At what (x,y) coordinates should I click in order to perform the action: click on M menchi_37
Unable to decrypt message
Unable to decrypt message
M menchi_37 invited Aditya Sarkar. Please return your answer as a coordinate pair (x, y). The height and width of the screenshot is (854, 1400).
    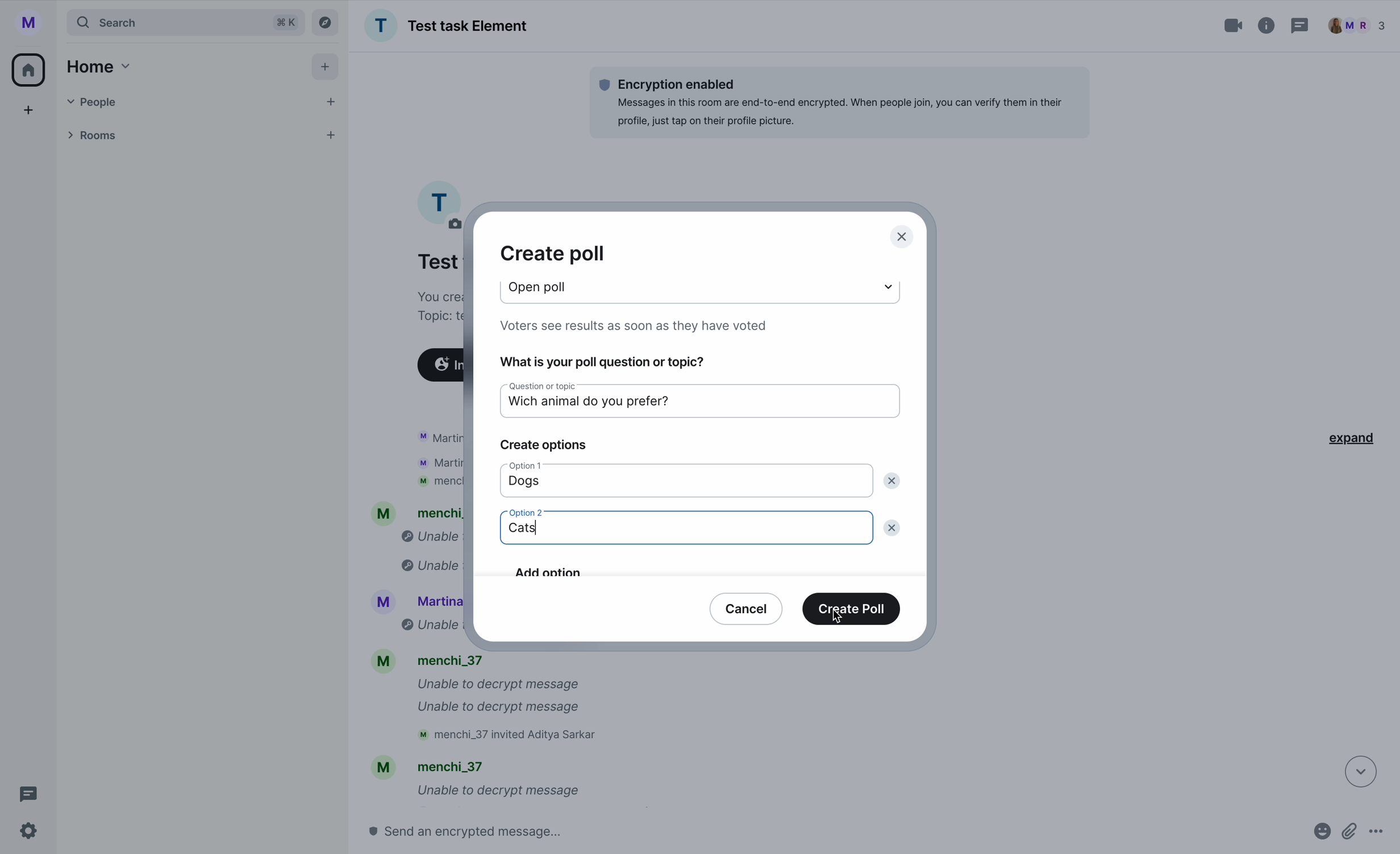
    Looking at the image, I should click on (491, 700).